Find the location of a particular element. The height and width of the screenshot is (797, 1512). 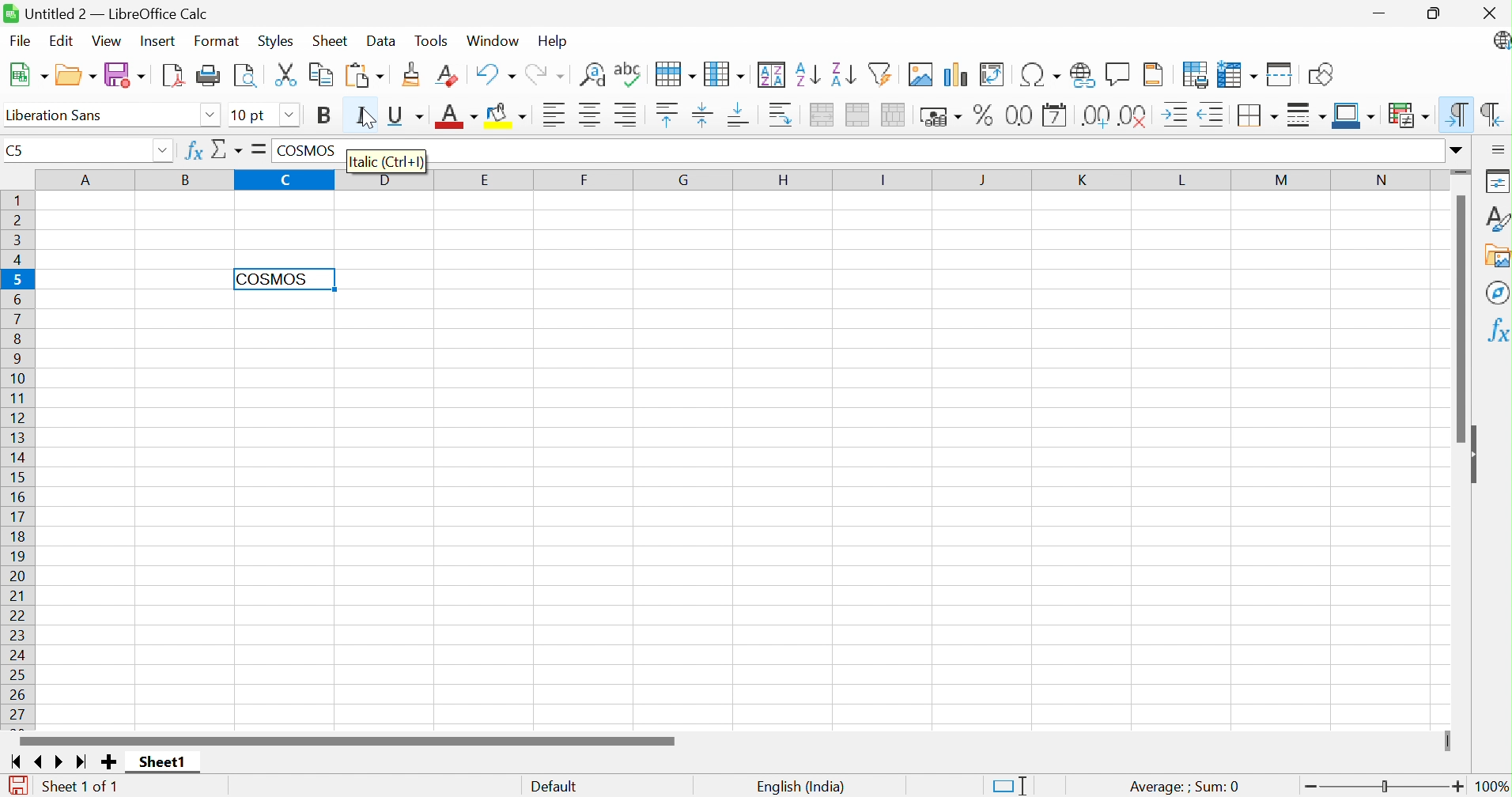

E9 is located at coordinates (77, 146).